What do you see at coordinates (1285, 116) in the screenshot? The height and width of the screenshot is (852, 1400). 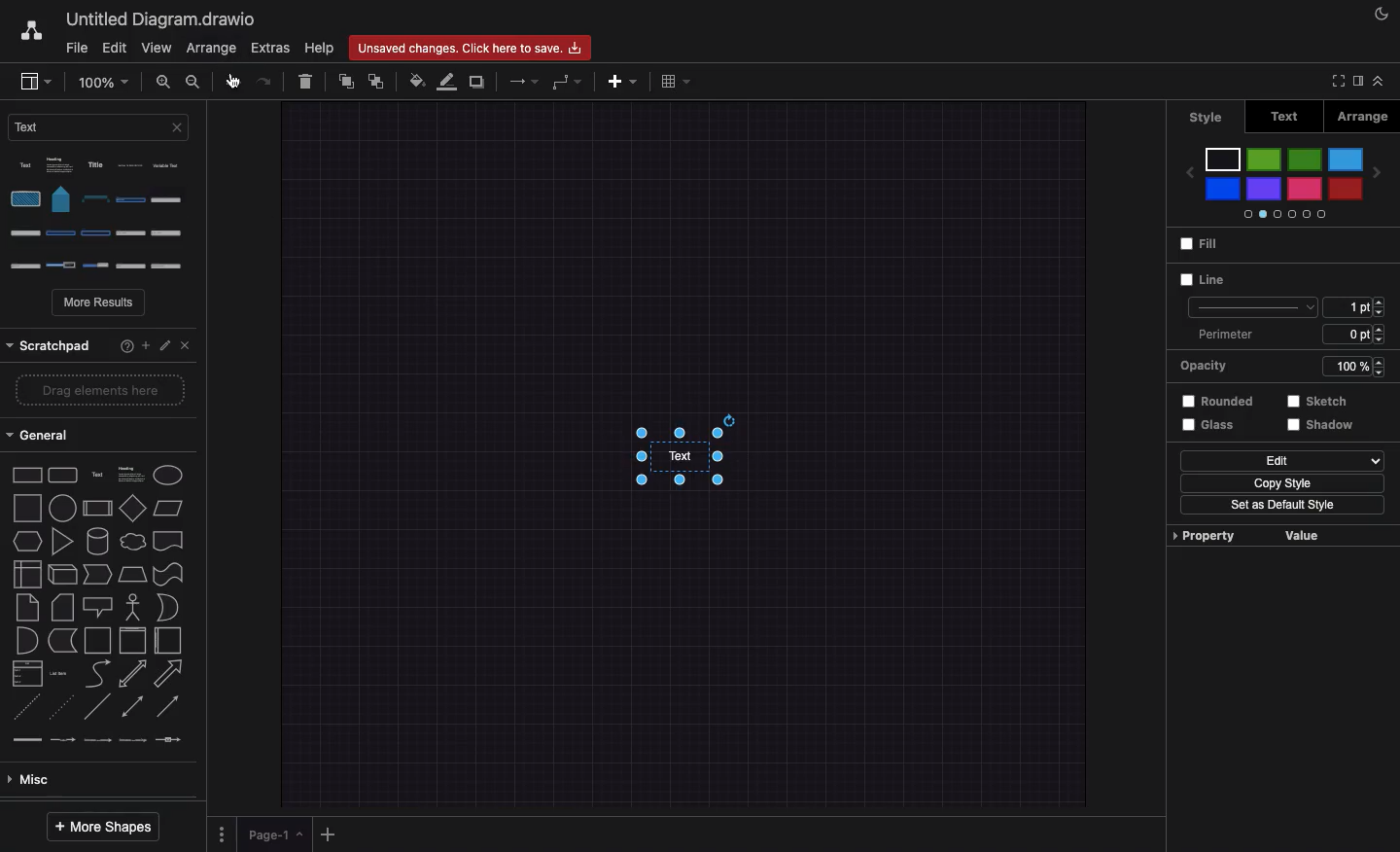 I see `Text` at bounding box center [1285, 116].